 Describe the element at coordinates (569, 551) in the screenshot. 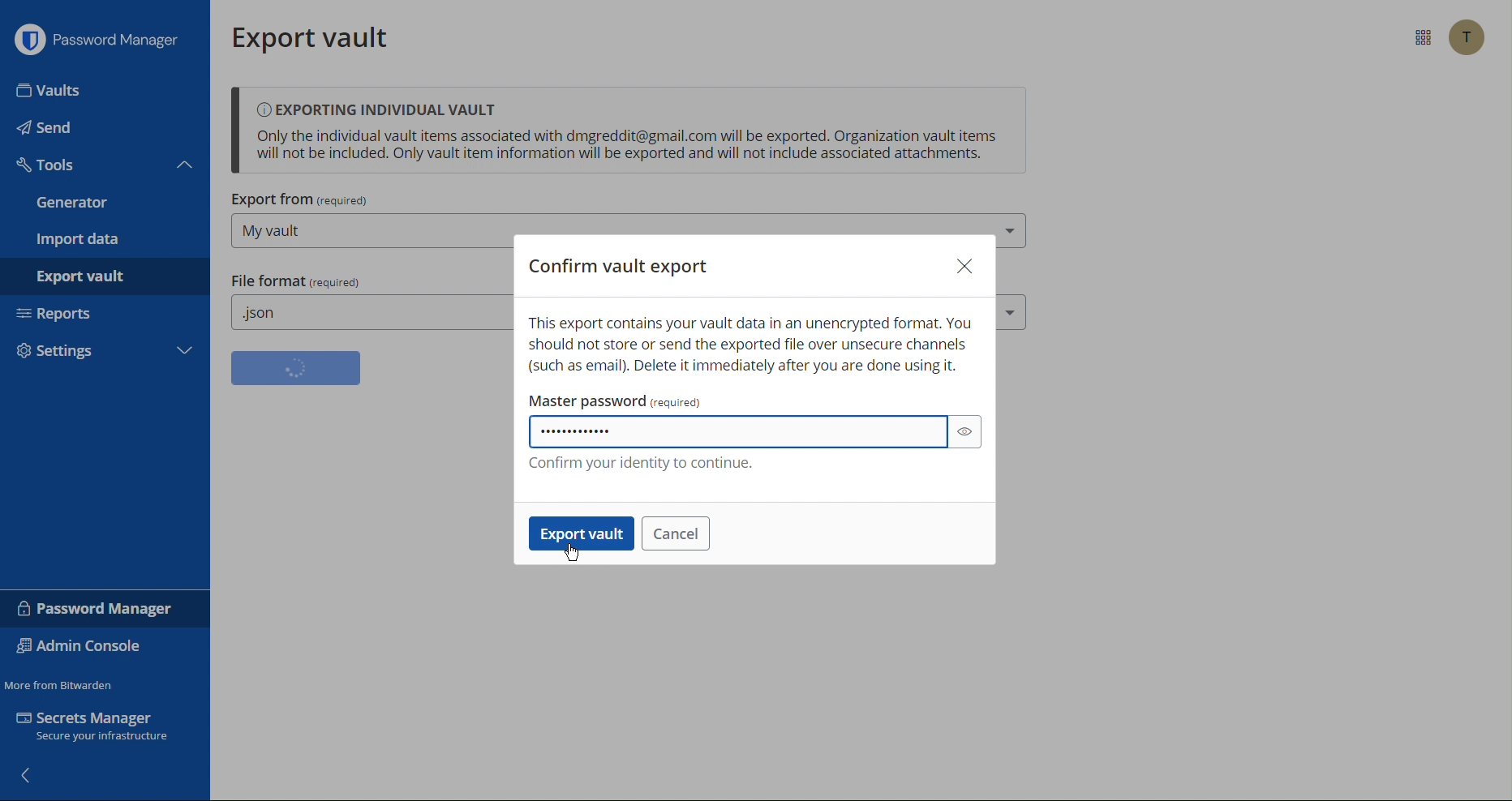

I see `Cursor` at that location.